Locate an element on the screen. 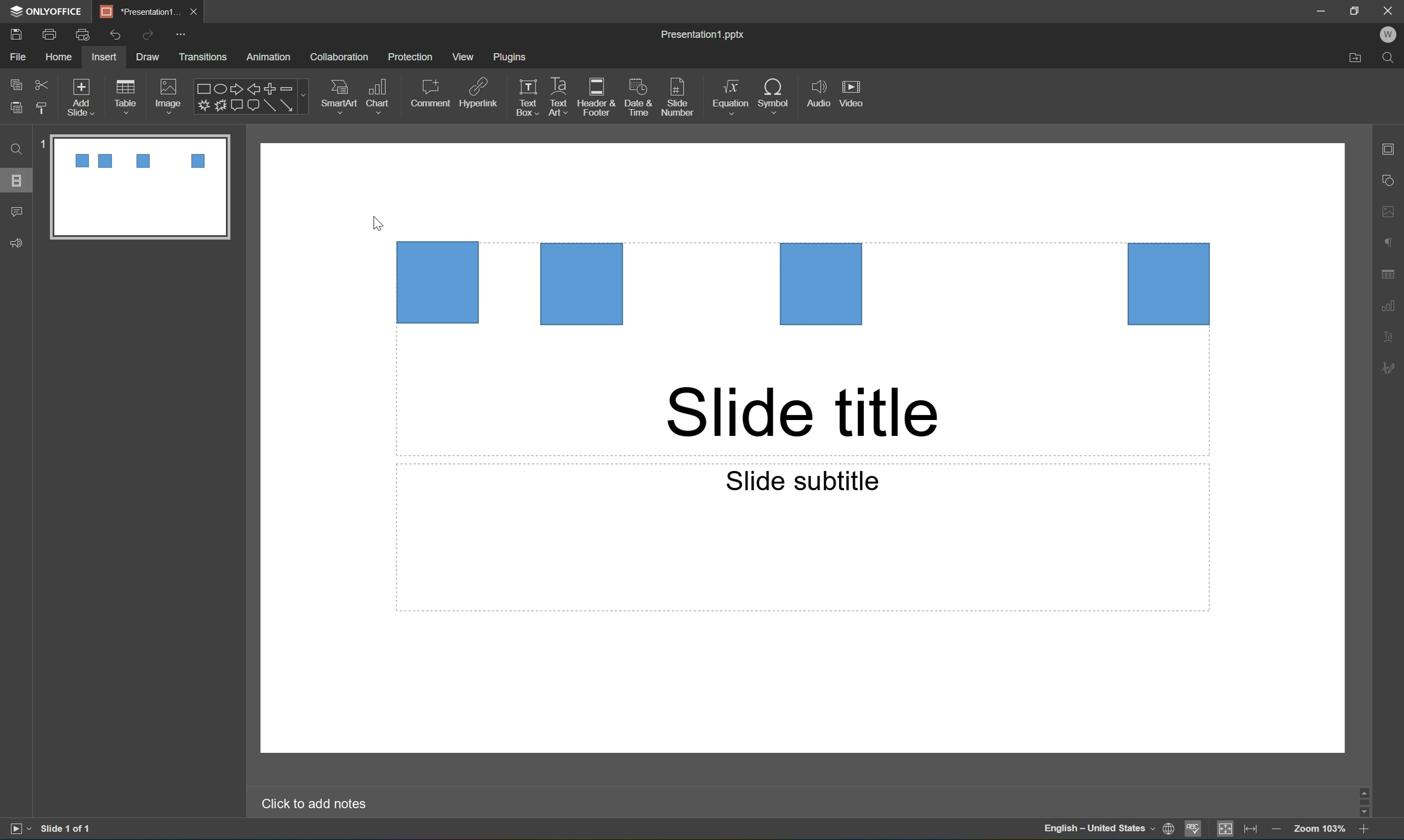 The width and height of the screenshot is (1404, 840). home is located at coordinates (58, 58).